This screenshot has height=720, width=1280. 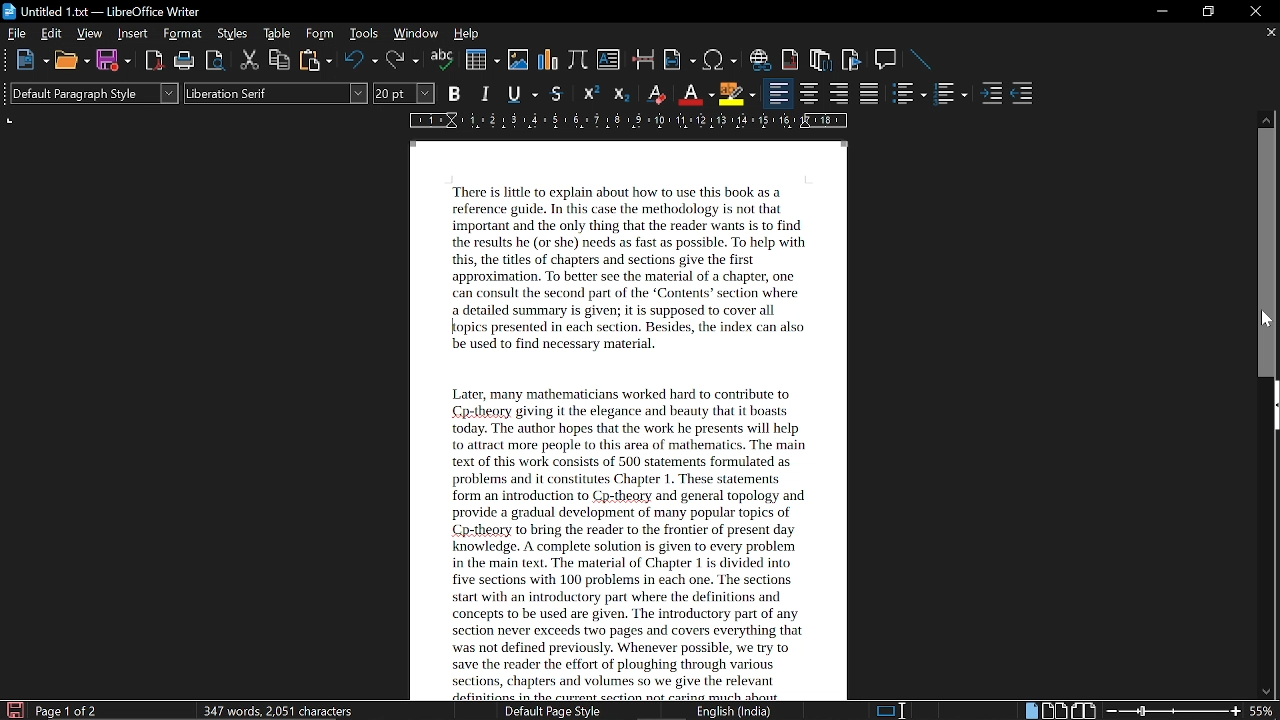 What do you see at coordinates (694, 93) in the screenshot?
I see `font color` at bounding box center [694, 93].